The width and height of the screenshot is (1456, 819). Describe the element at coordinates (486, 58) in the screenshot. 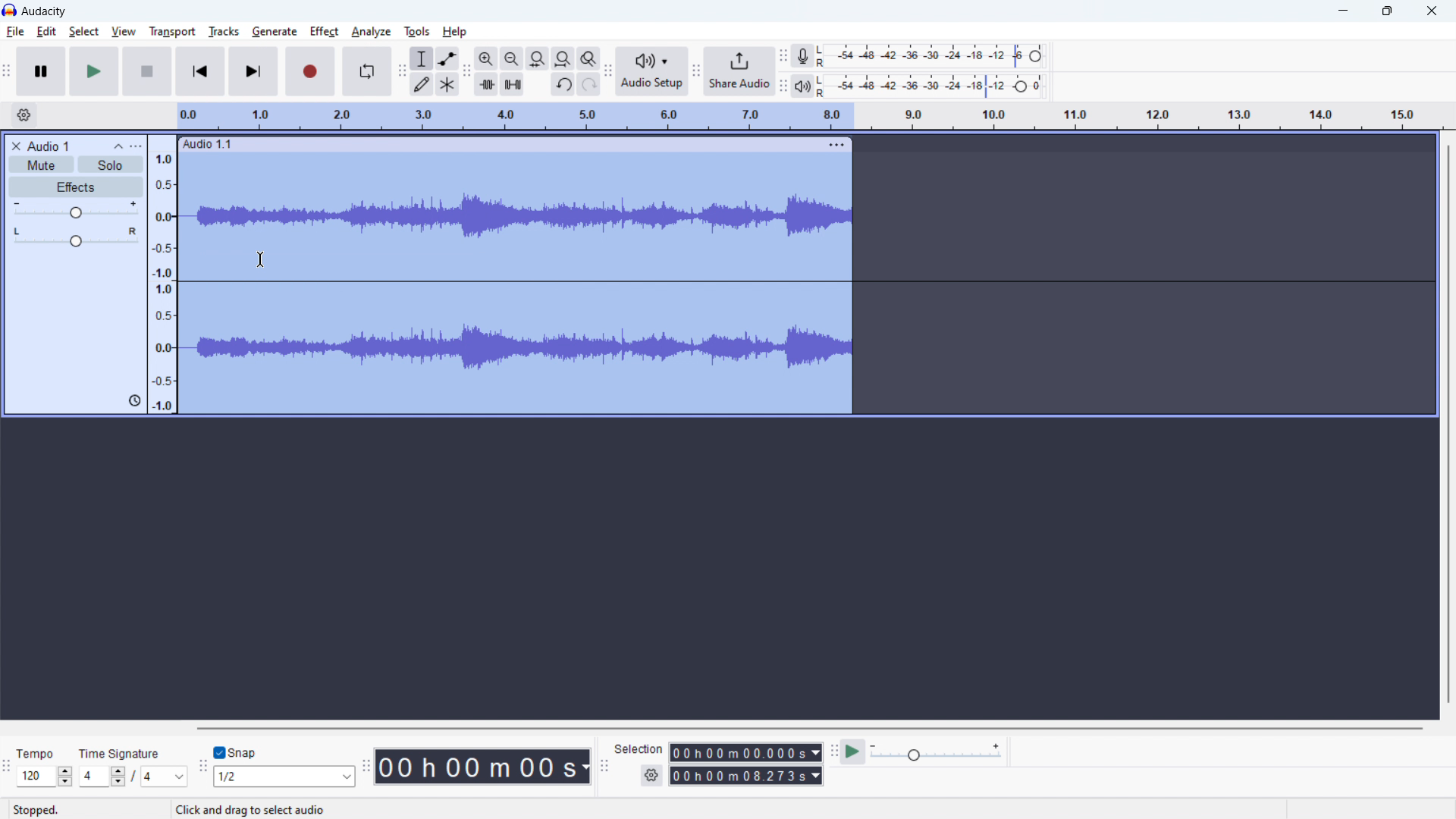

I see `zoom in` at that location.